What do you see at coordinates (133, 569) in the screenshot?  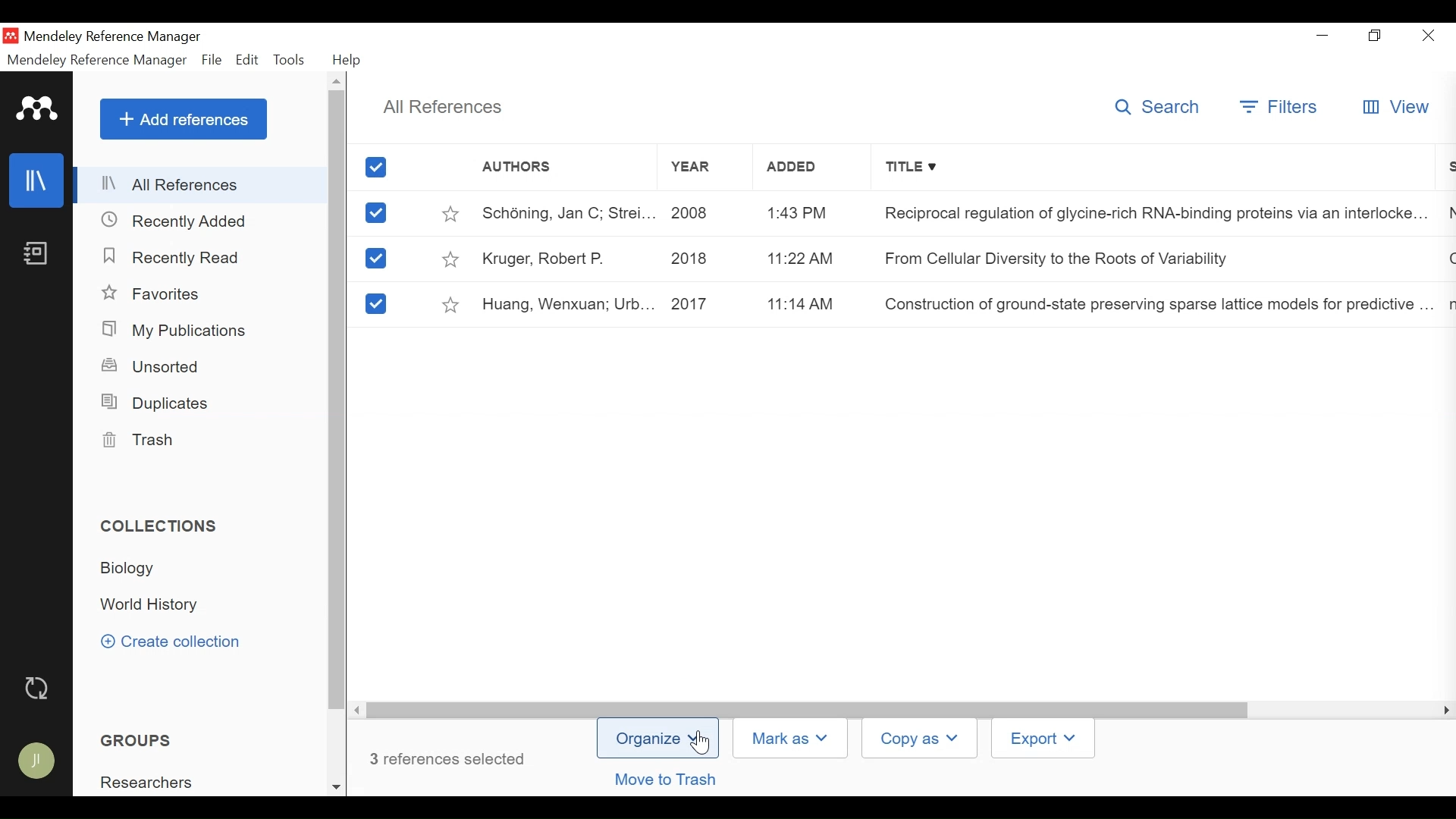 I see `Collection` at bounding box center [133, 569].